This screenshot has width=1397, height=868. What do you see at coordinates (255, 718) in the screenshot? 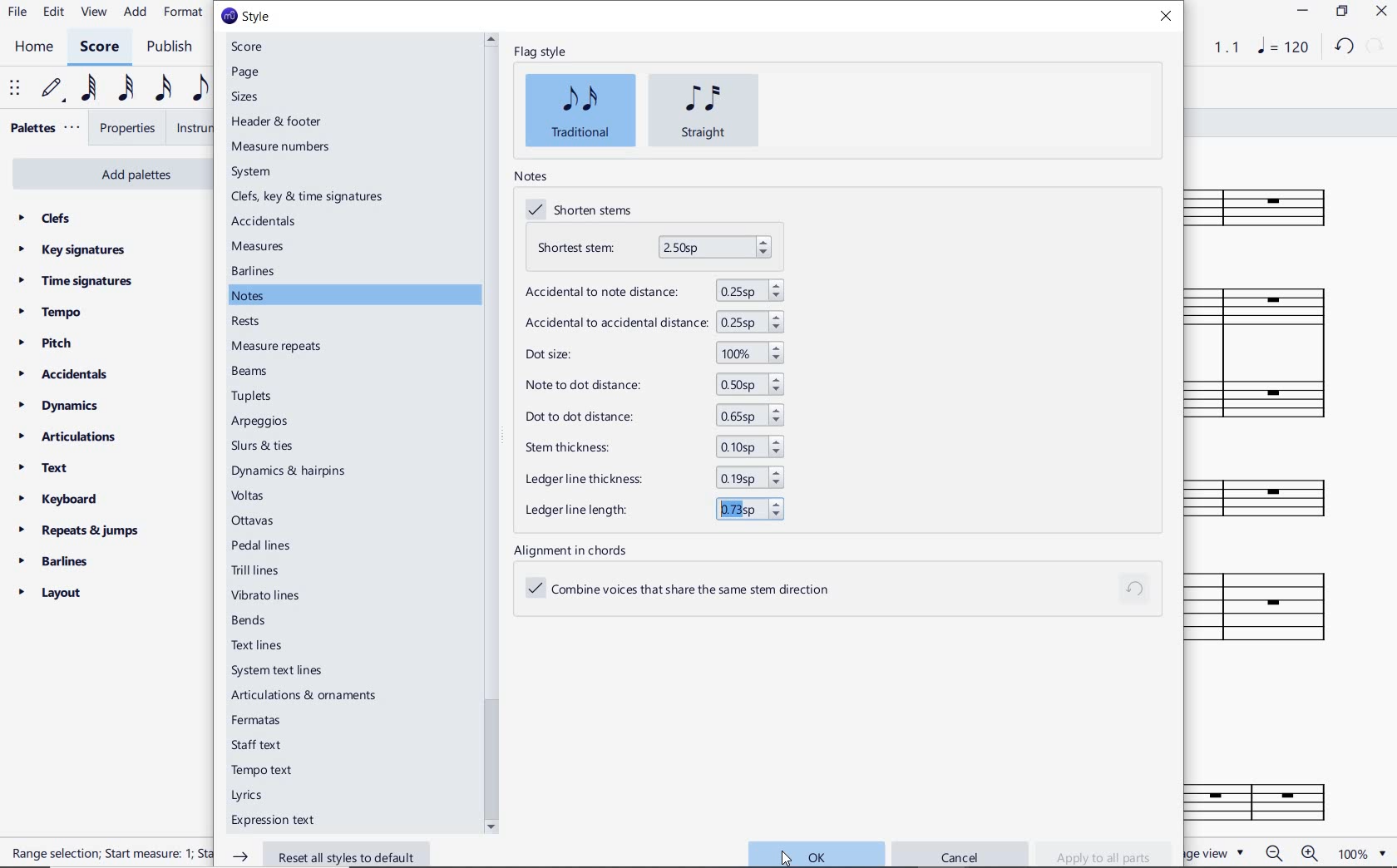
I see `fermatas` at bounding box center [255, 718].